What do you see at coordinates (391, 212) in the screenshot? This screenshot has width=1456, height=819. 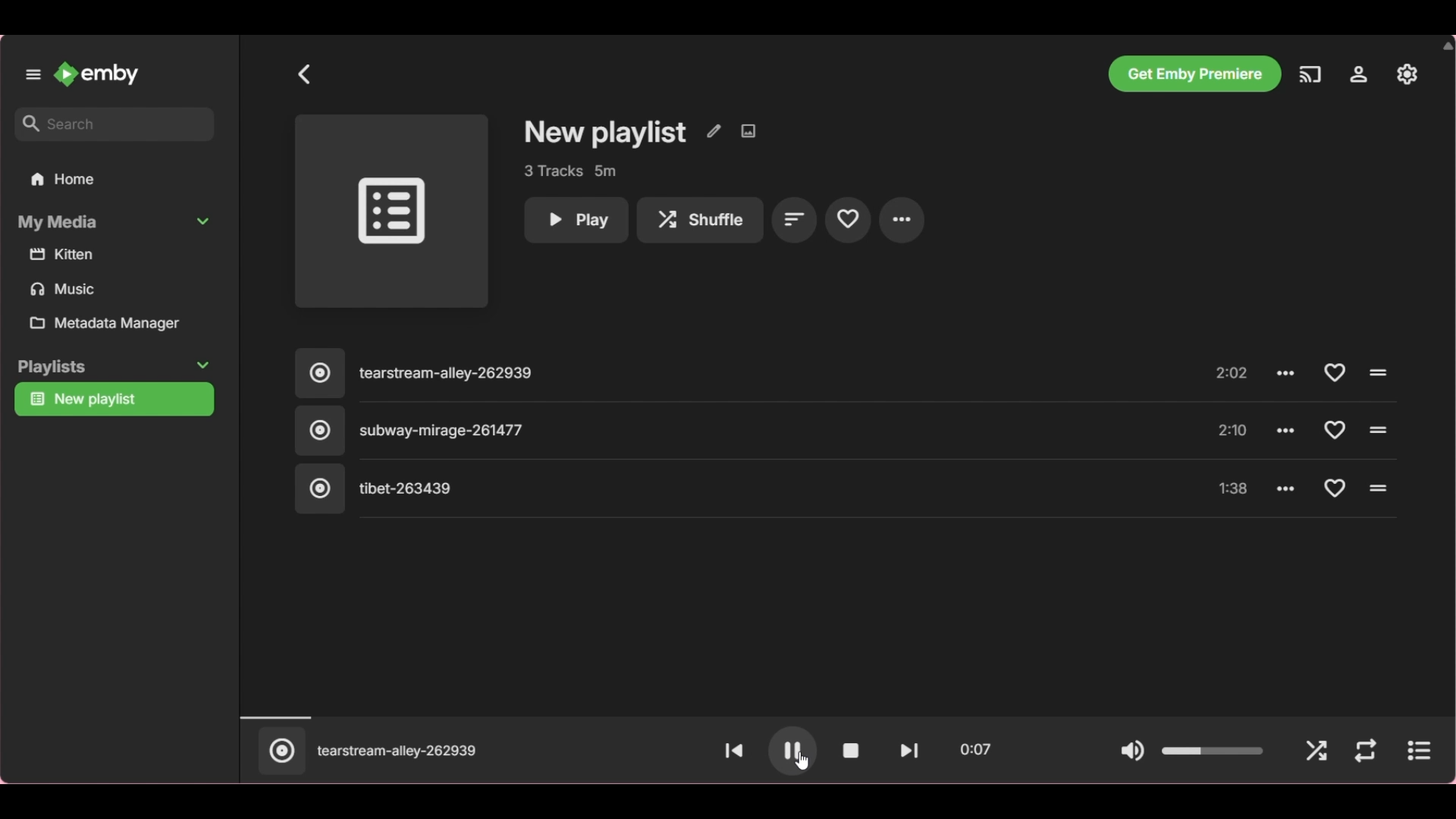 I see `Click to play entire playlist` at bounding box center [391, 212].